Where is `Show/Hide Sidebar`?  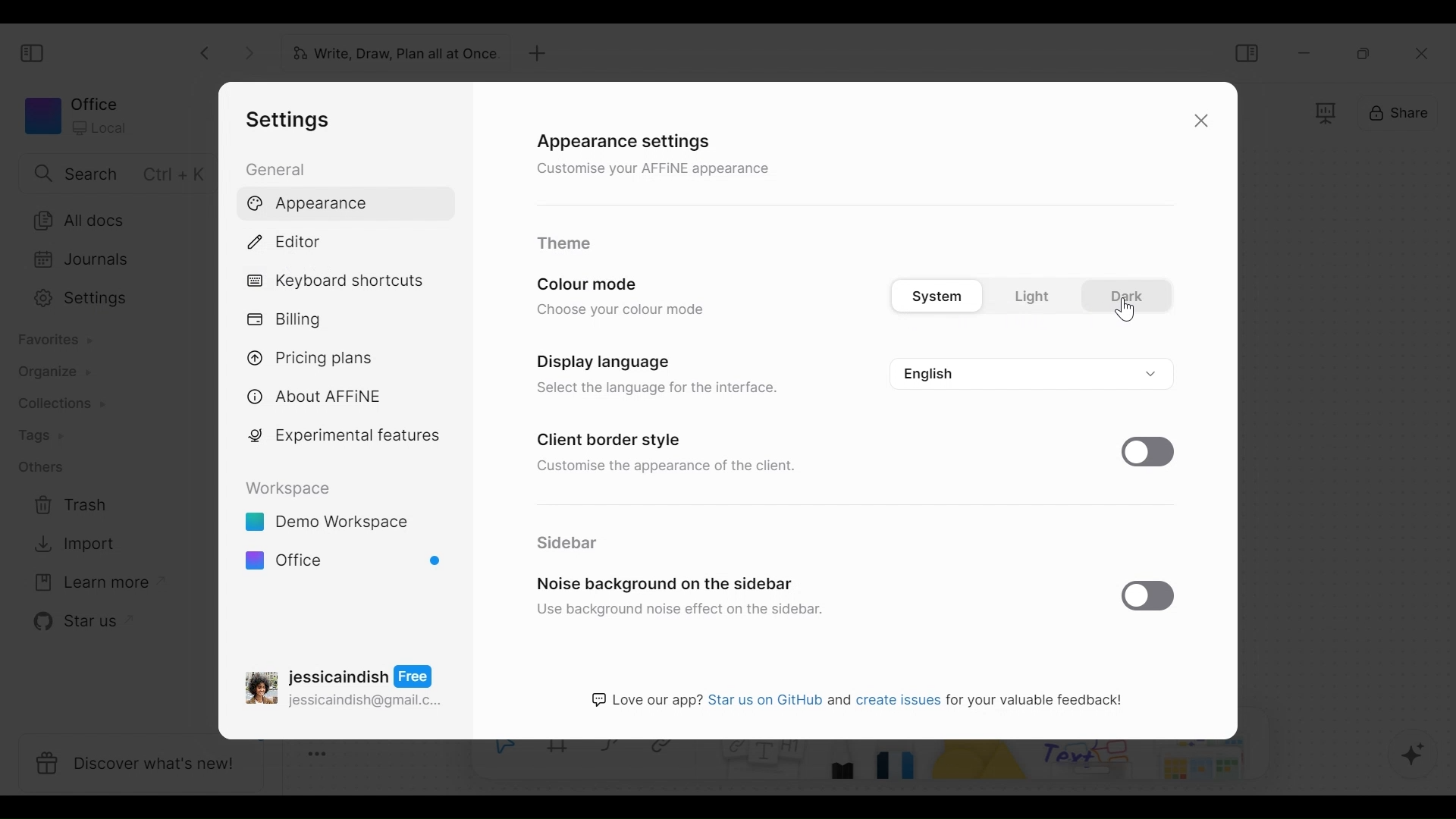
Show/Hide Sidebar is located at coordinates (30, 52).